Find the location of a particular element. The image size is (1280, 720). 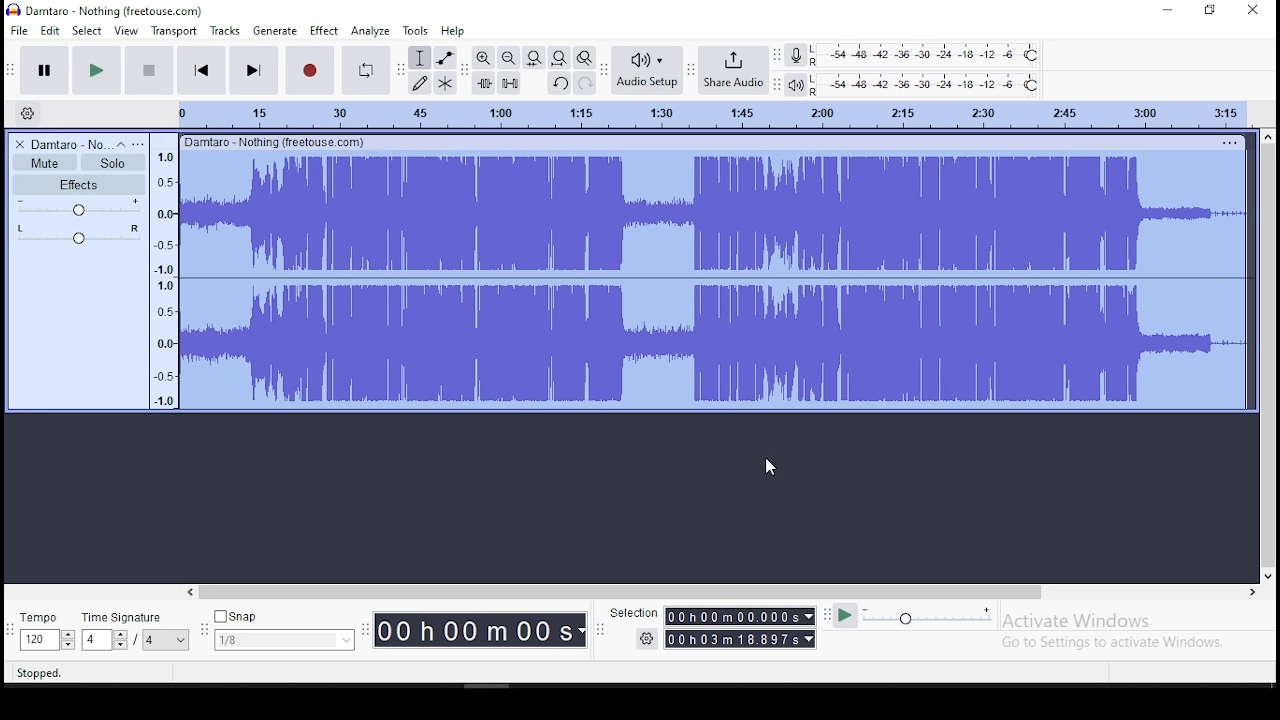

track time is located at coordinates (711, 112).